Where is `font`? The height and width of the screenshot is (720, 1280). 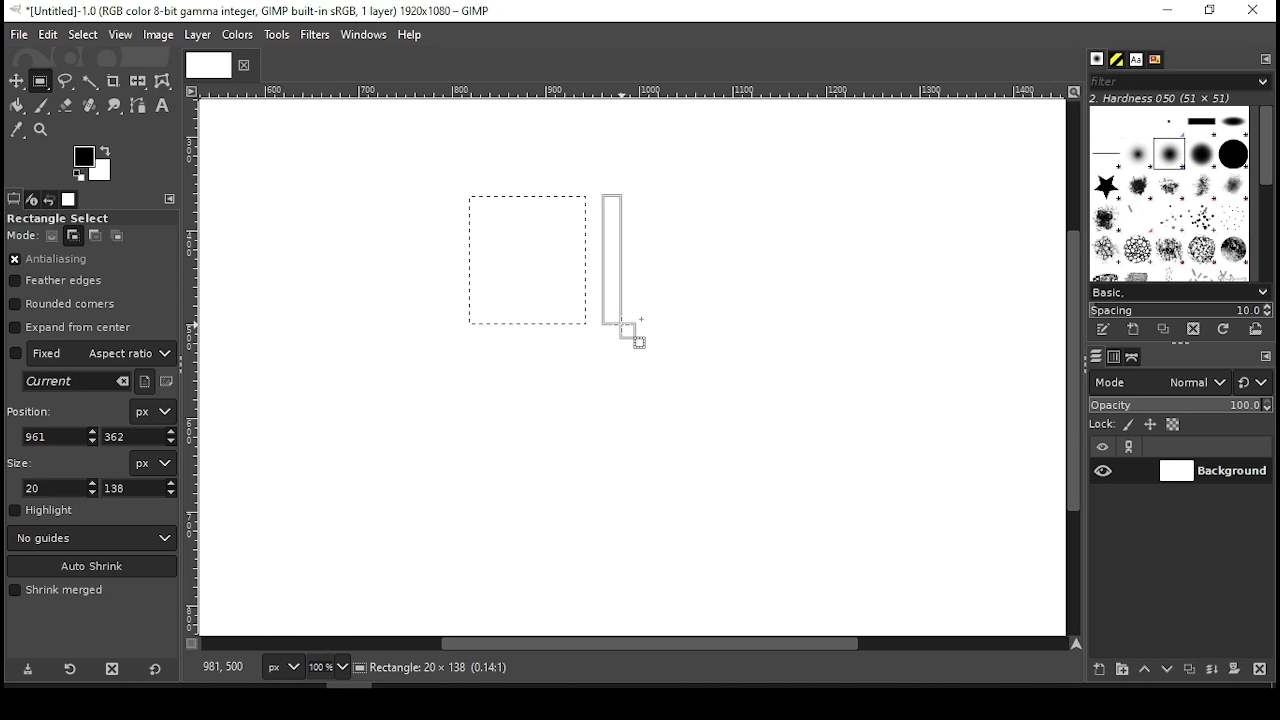
font is located at coordinates (1135, 60).